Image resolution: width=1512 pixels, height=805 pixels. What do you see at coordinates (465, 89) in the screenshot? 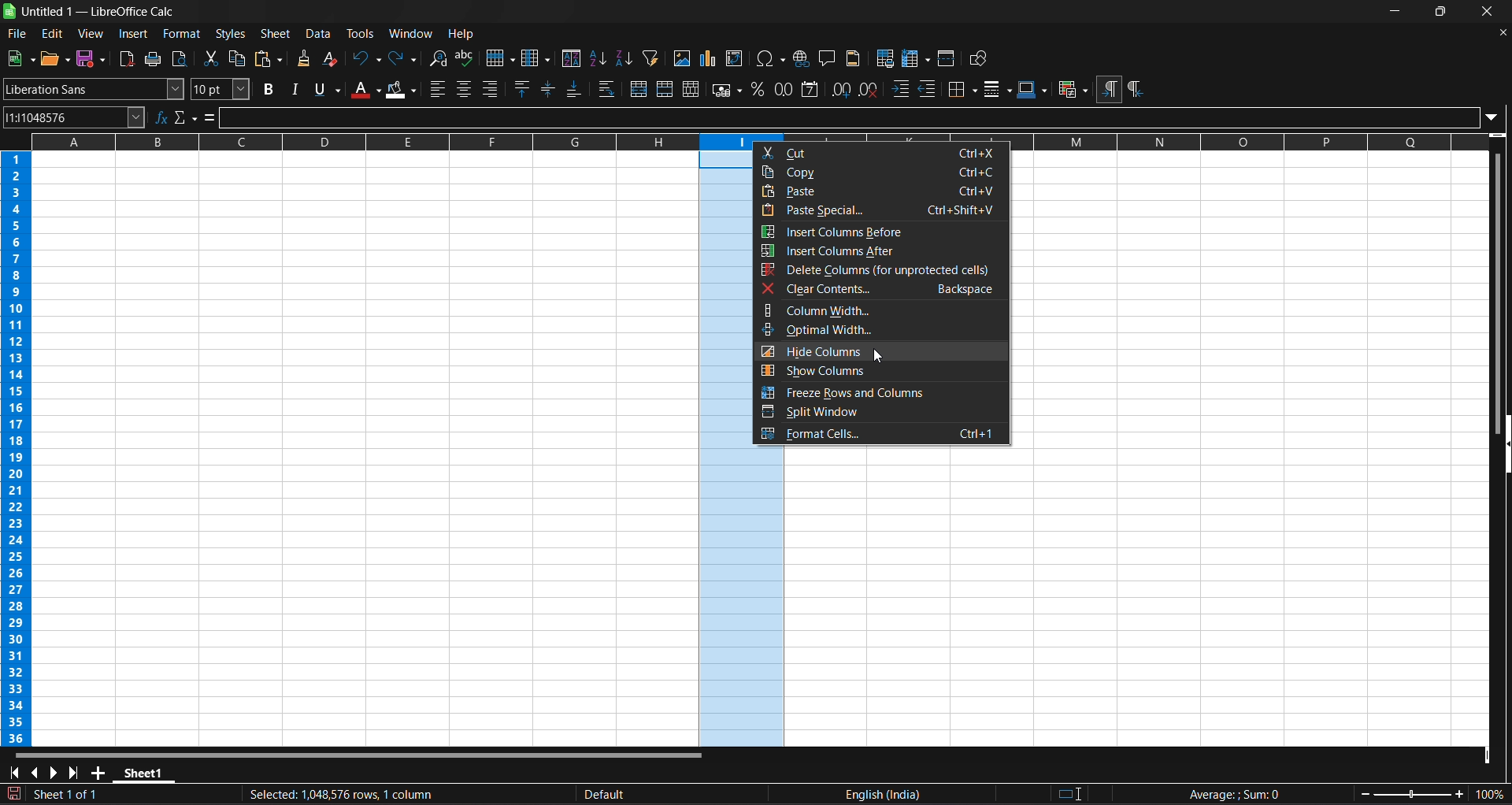
I see `align center` at bounding box center [465, 89].